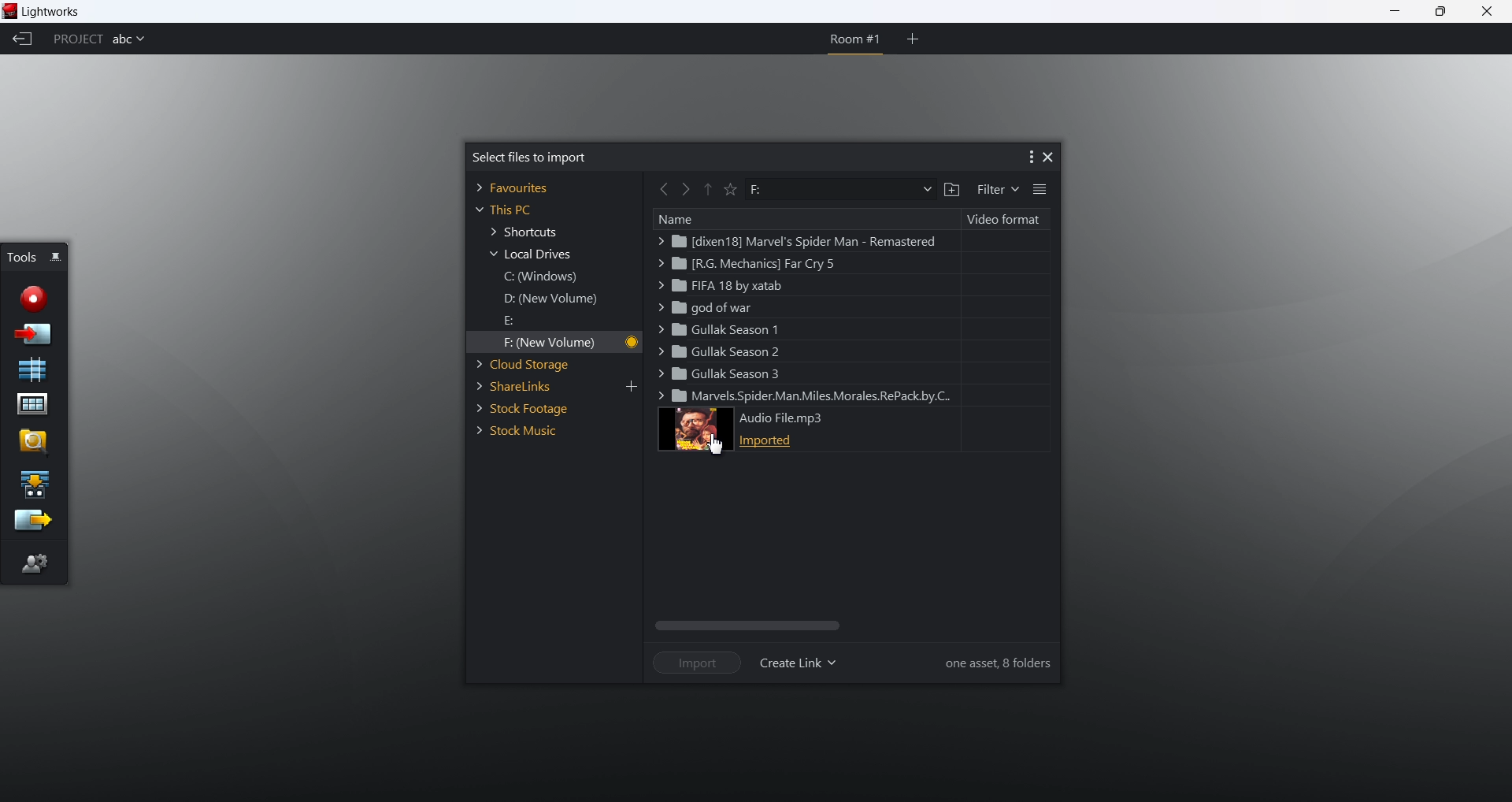 The width and height of the screenshot is (1512, 802). Describe the element at coordinates (32, 441) in the screenshot. I see `find` at that location.